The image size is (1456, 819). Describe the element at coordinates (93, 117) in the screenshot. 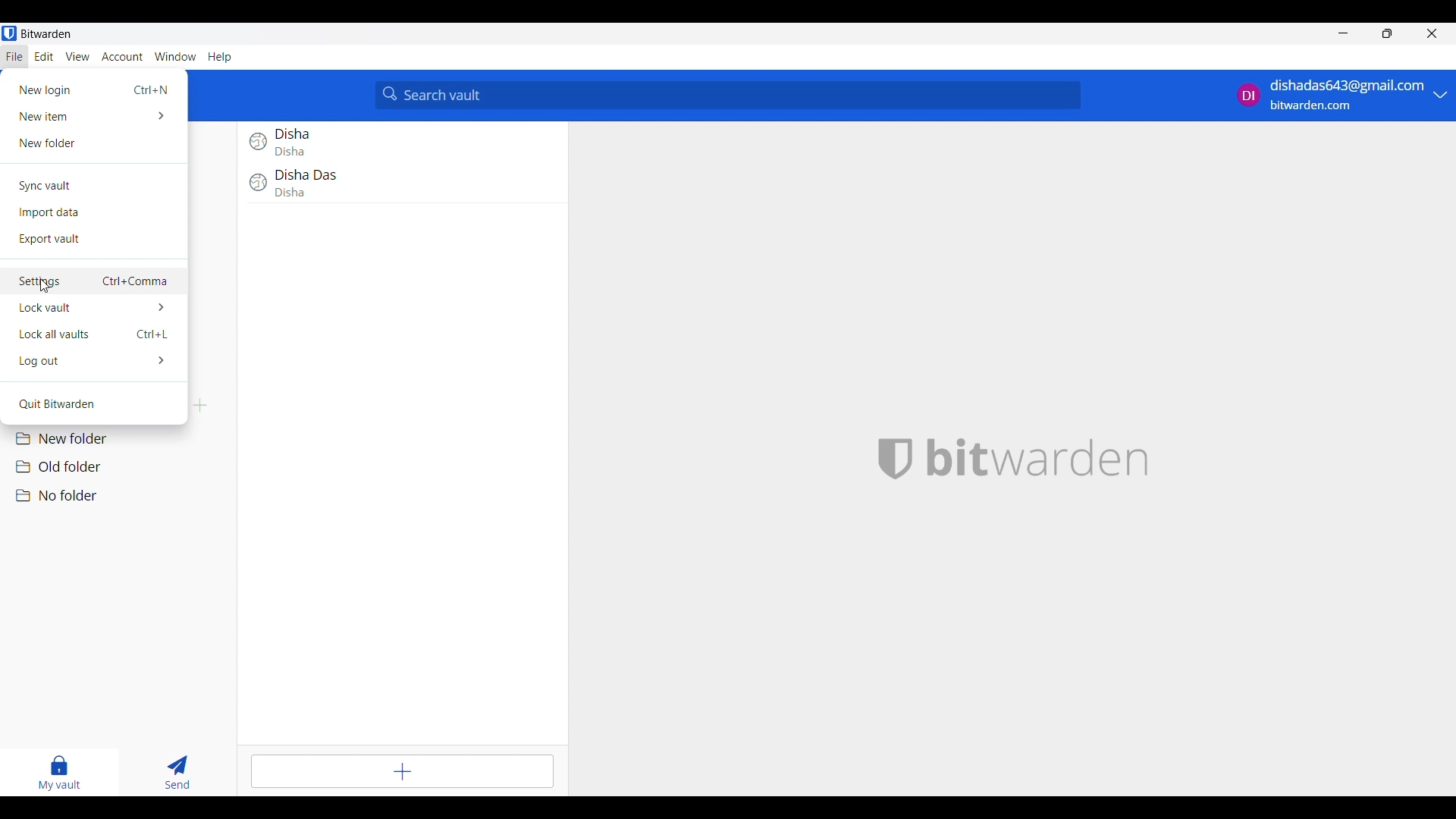

I see `New item` at that location.